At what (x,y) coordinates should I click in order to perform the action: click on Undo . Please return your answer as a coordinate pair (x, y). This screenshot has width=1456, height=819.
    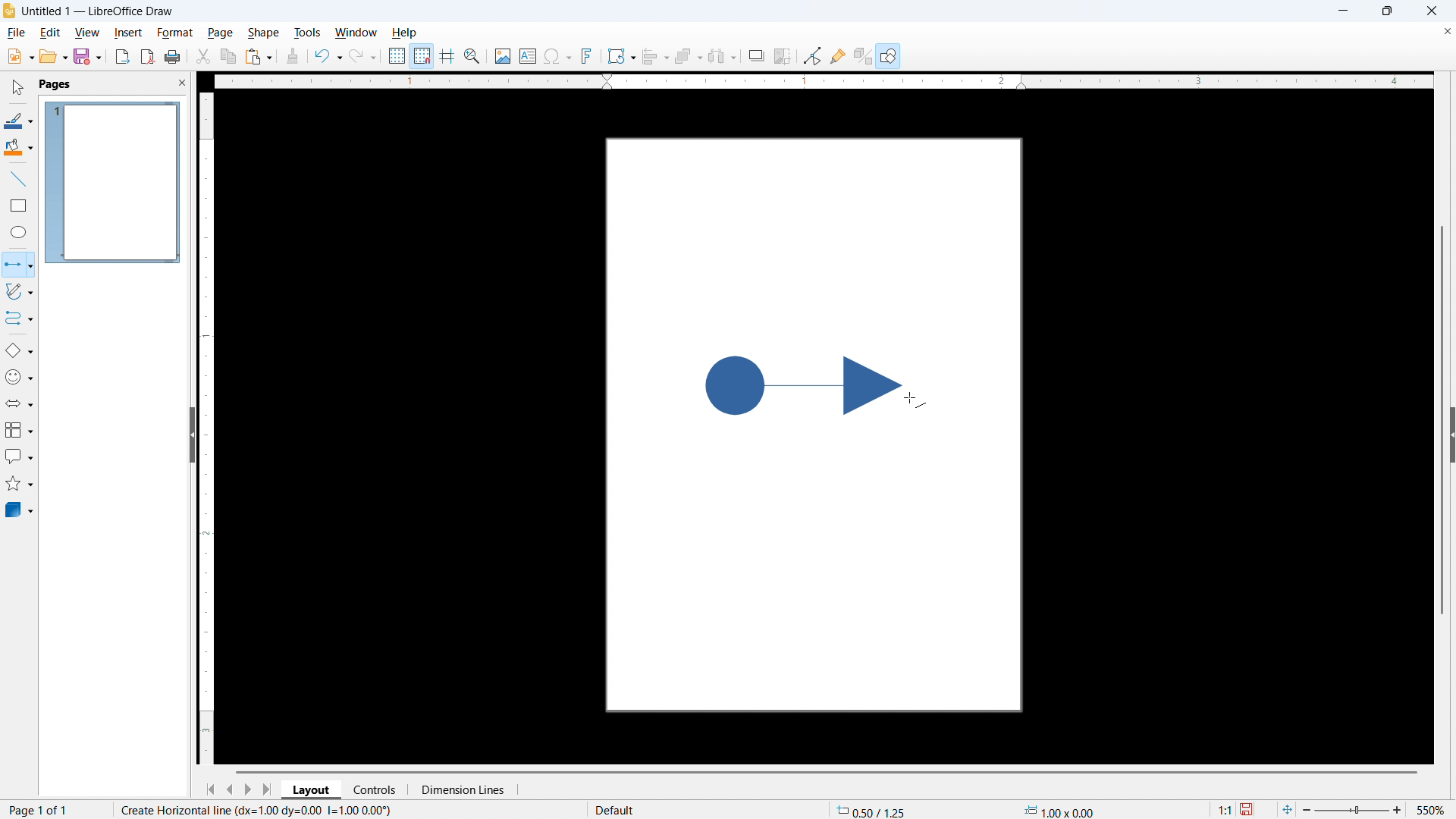
    Looking at the image, I should click on (329, 57).